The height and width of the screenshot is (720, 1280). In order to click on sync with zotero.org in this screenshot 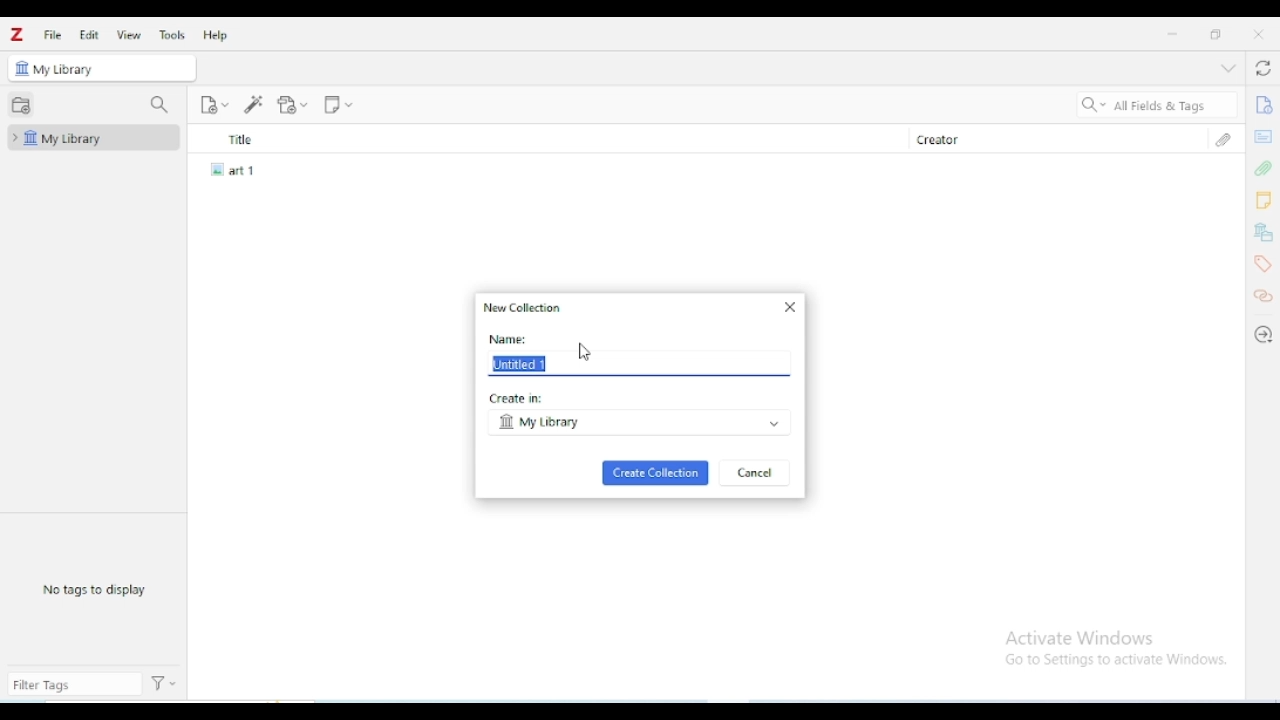, I will do `click(1263, 69)`.